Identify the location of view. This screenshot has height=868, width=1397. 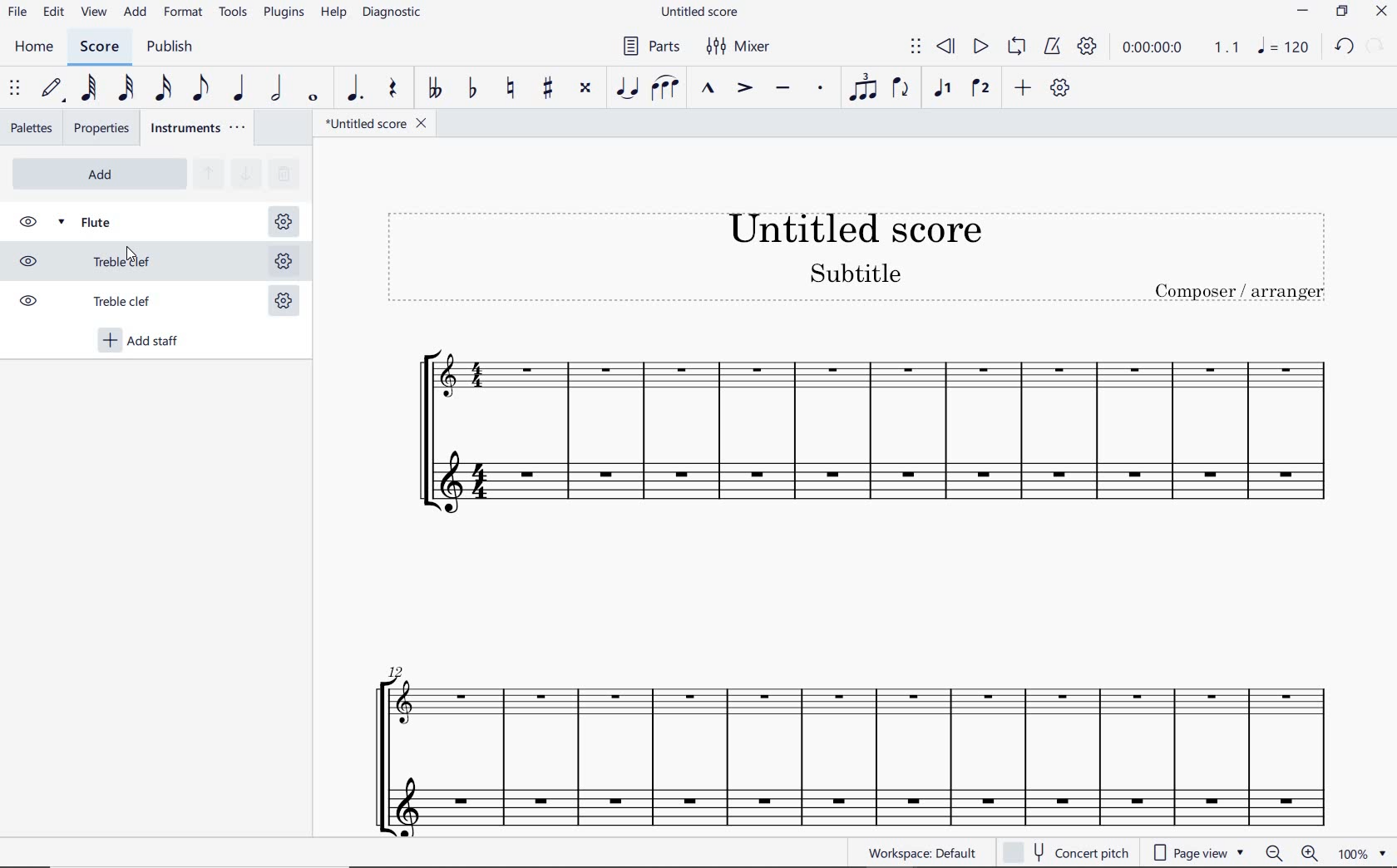
(96, 13).